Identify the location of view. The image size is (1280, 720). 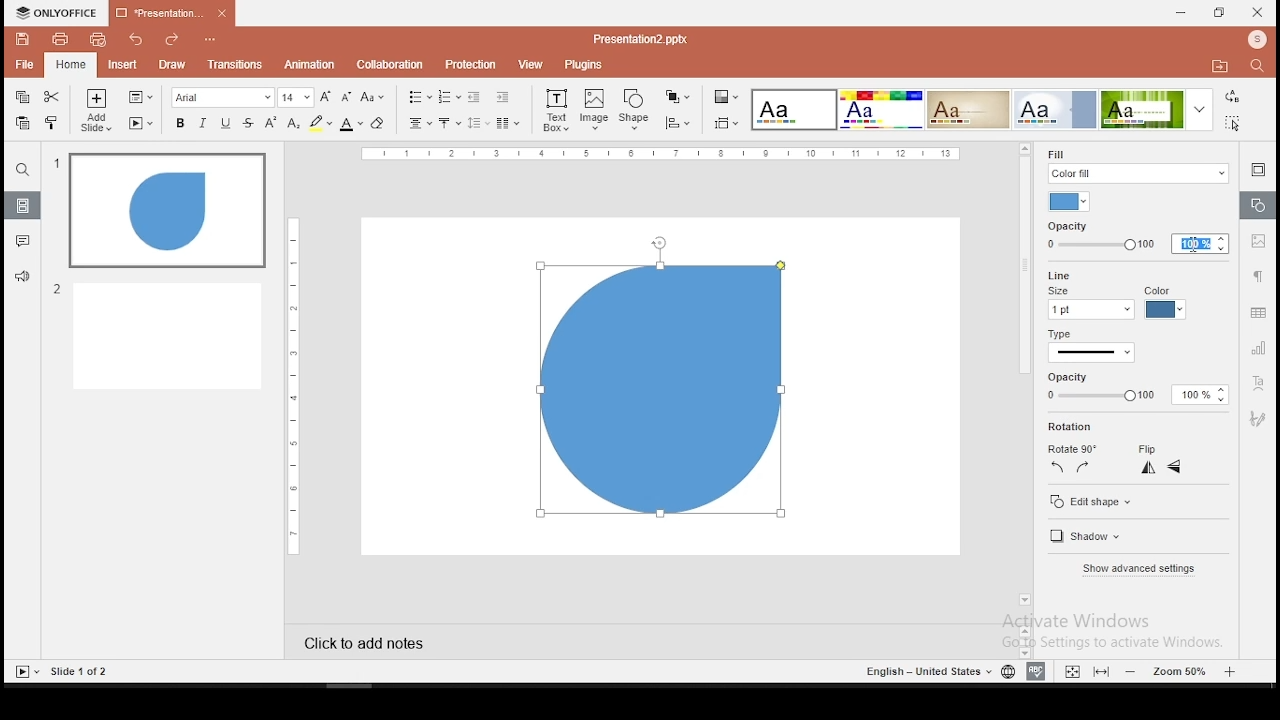
(530, 64).